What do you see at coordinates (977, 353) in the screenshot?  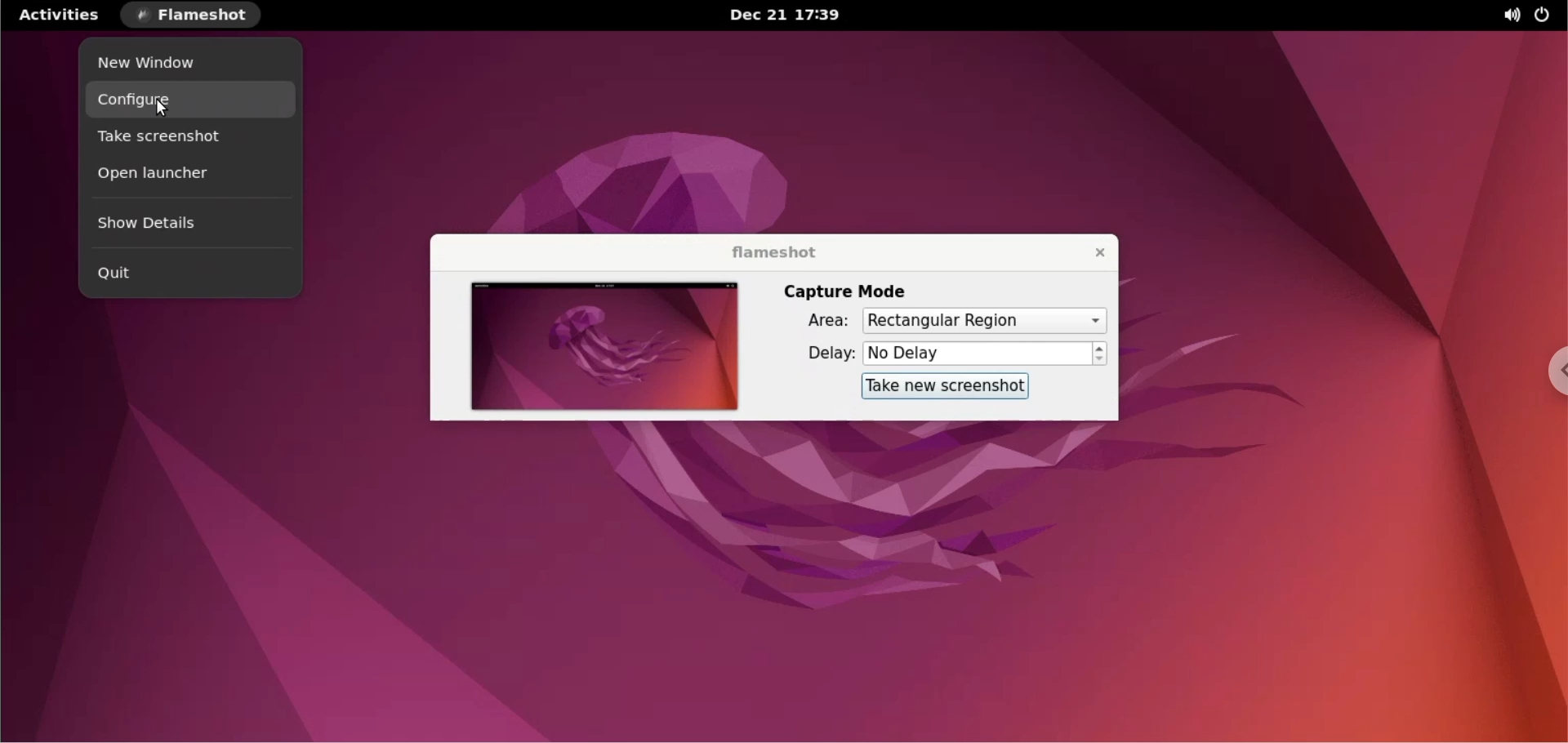 I see `delay time` at bounding box center [977, 353].